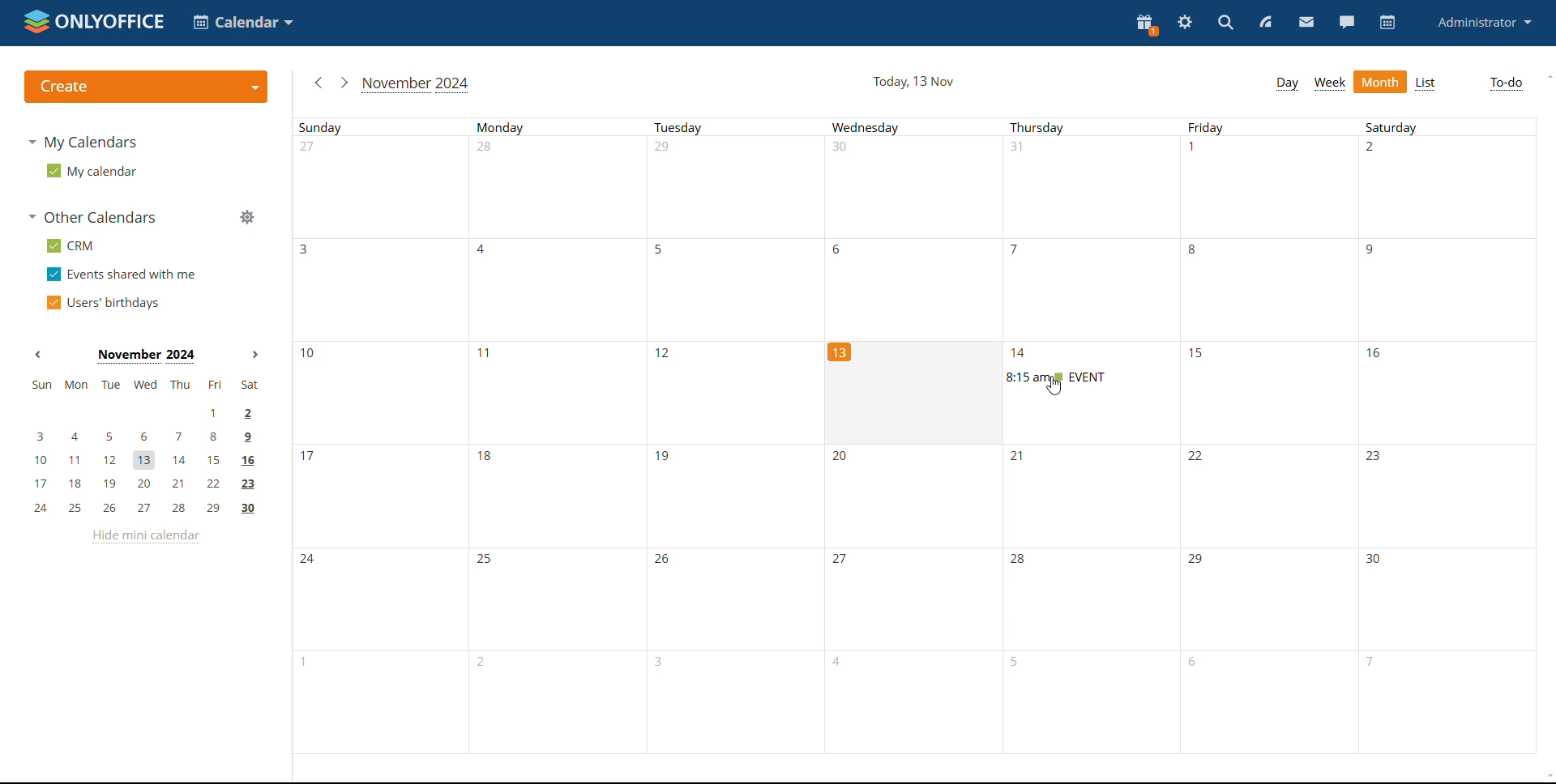  Describe the element at coordinates (1055, 386) in the screenshot. I see `cursor` at that location.